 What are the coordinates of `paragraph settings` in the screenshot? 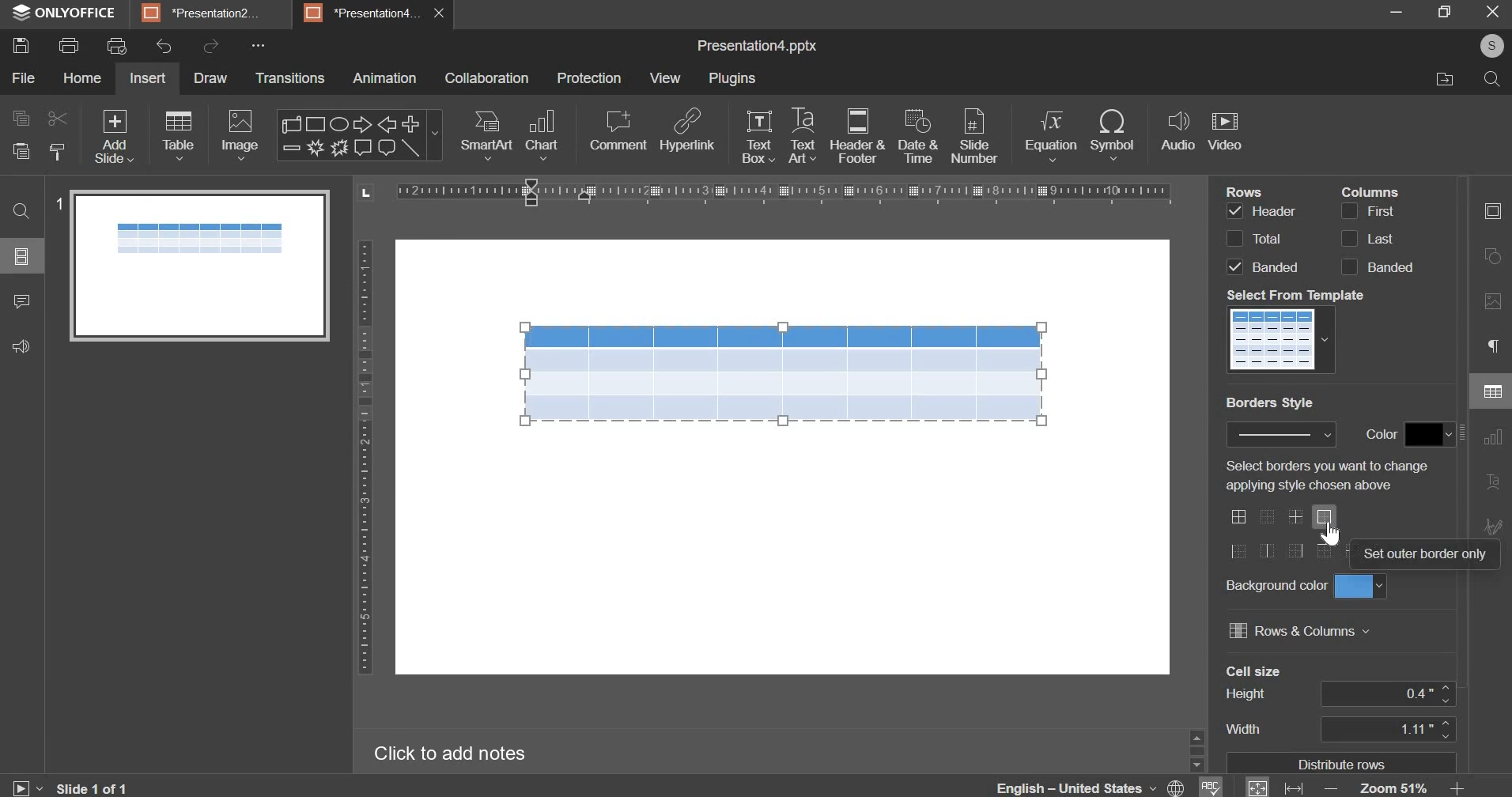 It's located at (1497, 343).